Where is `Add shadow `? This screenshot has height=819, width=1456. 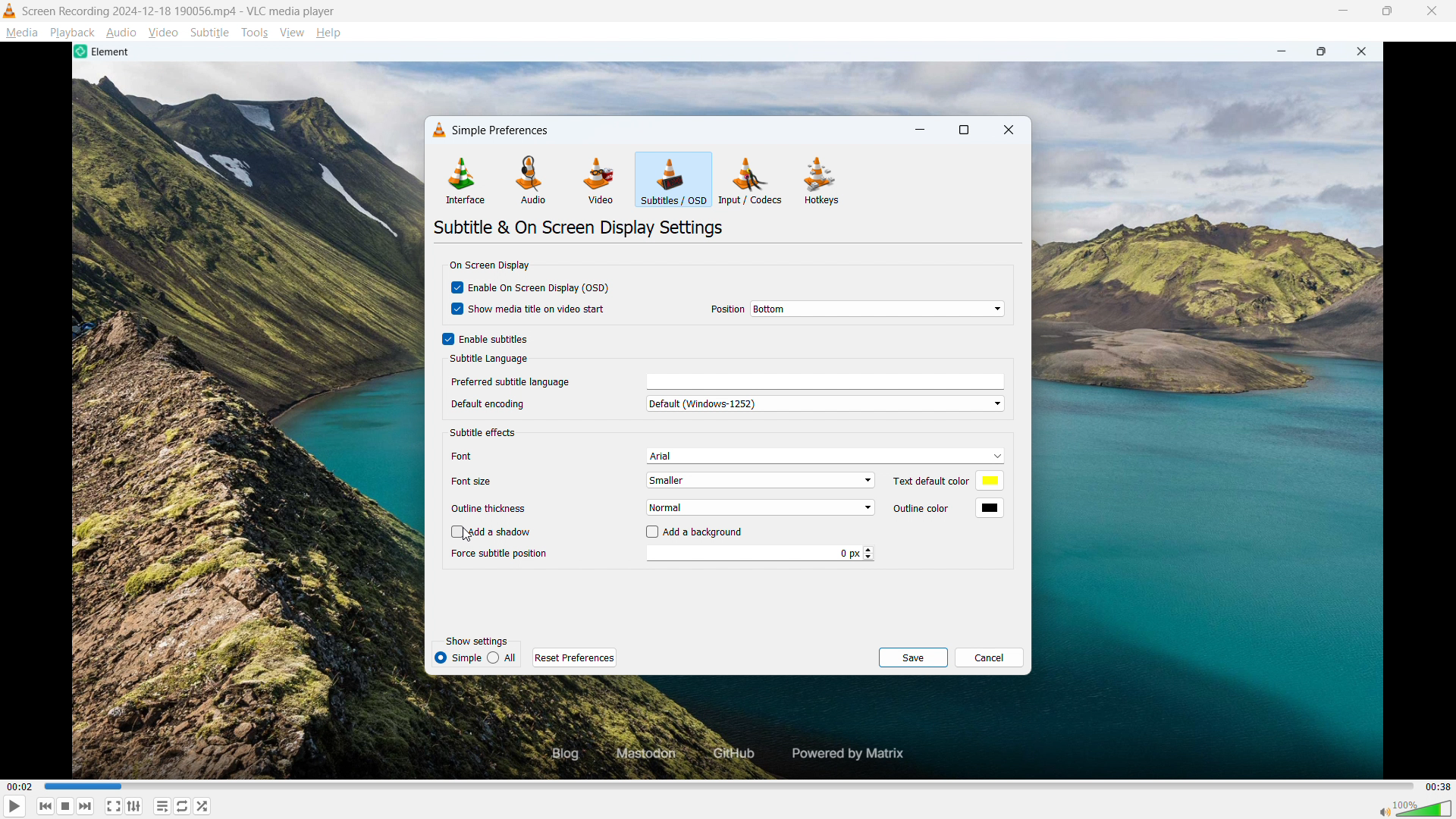 Add shadow  is located at coordinates (502, 532).